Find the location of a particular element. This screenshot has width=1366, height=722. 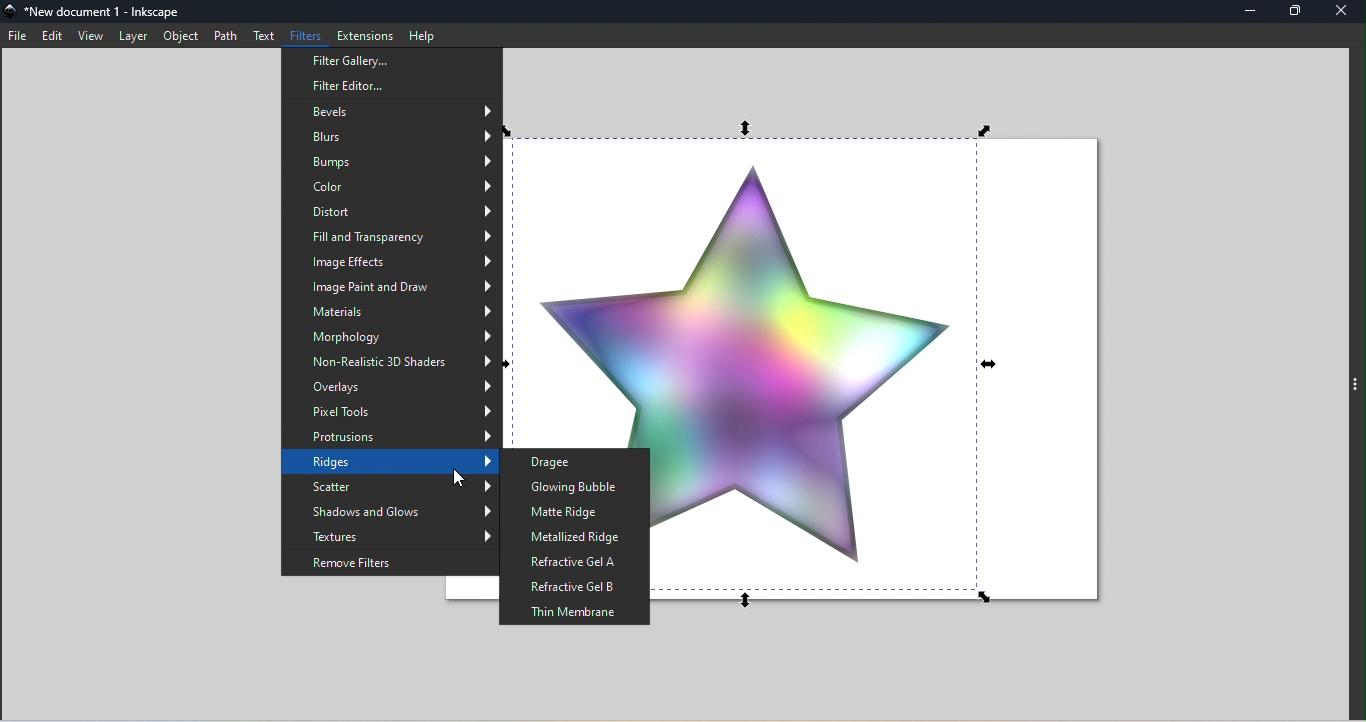

Non-realistic 3D Shades is located at coordinates (393, 363).